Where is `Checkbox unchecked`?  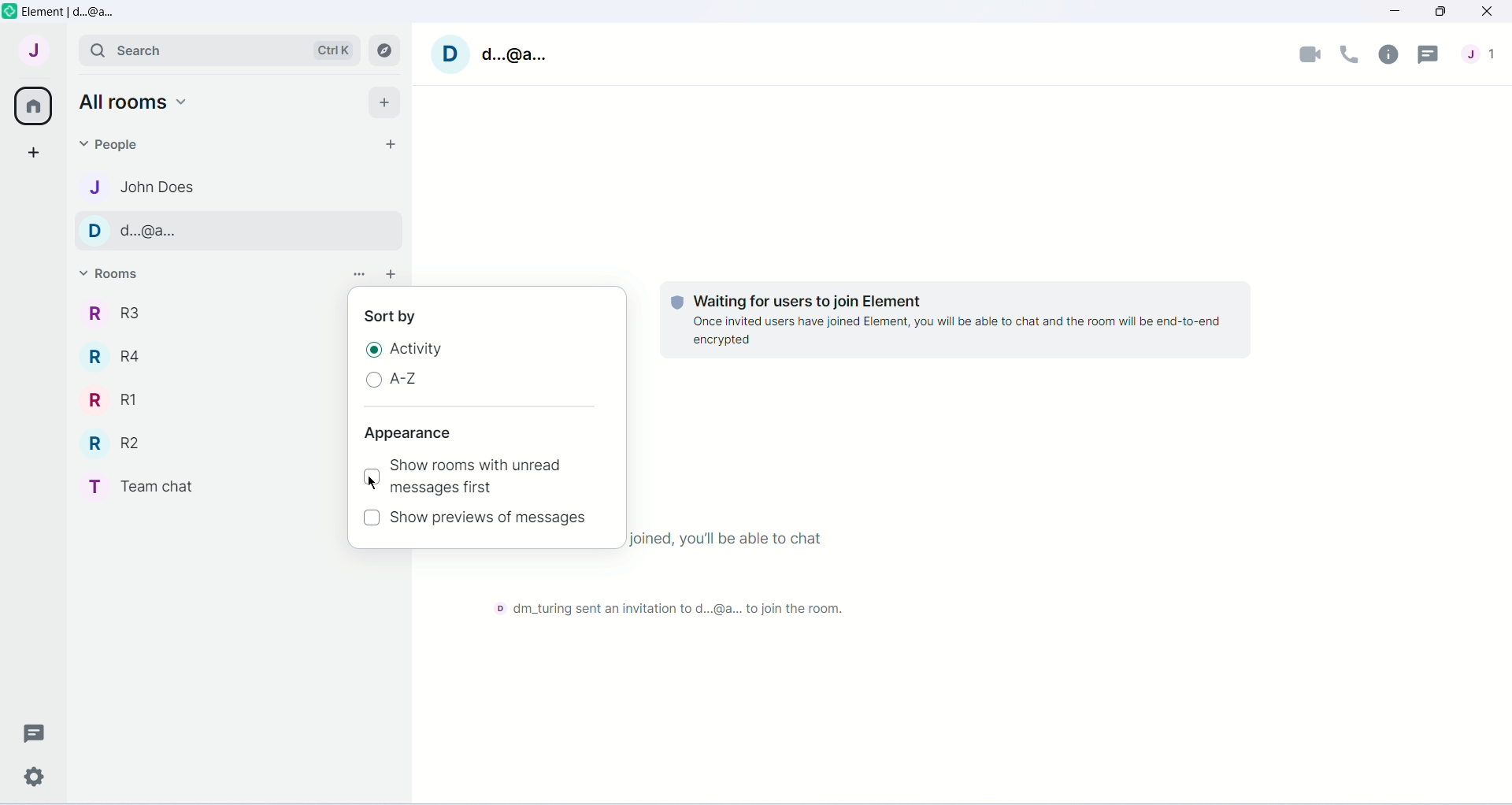 Checkbox unchecked is located at coordinates (374, 479).